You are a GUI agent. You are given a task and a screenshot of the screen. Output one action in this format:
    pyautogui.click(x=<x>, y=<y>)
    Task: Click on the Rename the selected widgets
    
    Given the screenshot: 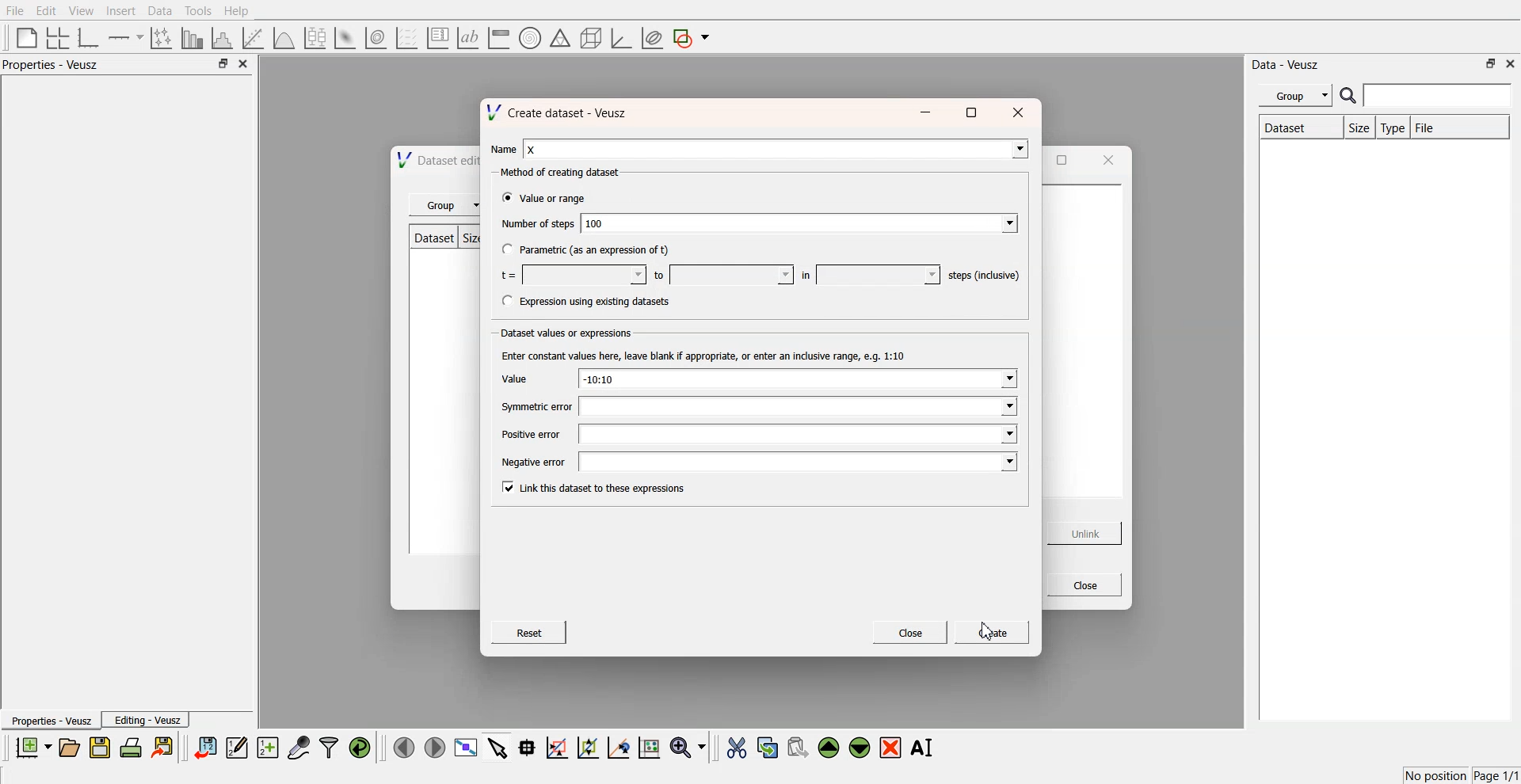 What is the action you would take?
    pyautogui.click(x=925, y=748)
    